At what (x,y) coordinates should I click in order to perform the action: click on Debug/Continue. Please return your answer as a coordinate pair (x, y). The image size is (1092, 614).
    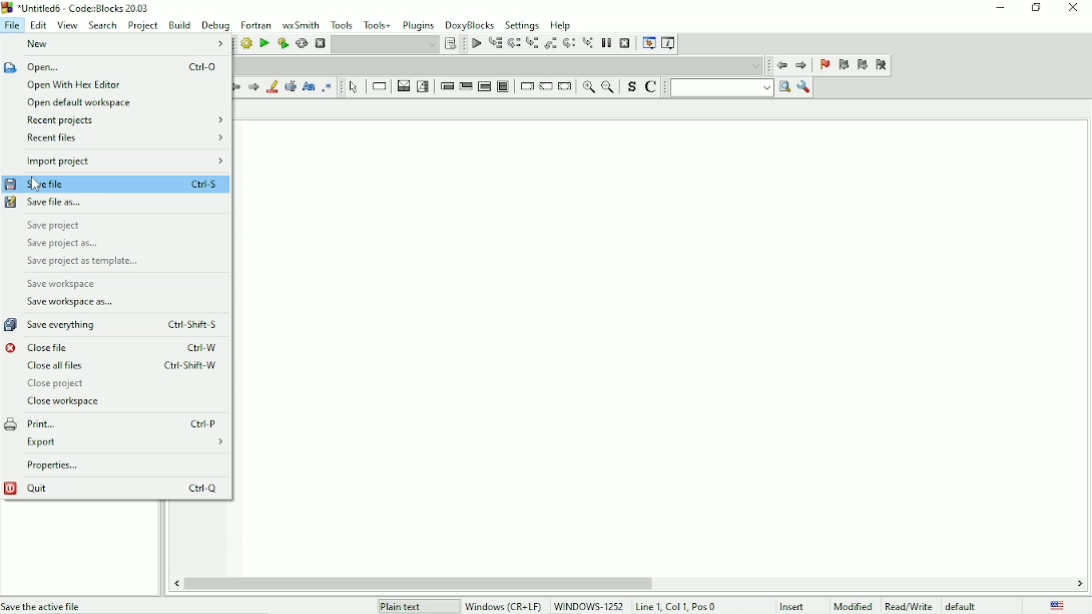
    Looking at the image, I should click on (476, 44).